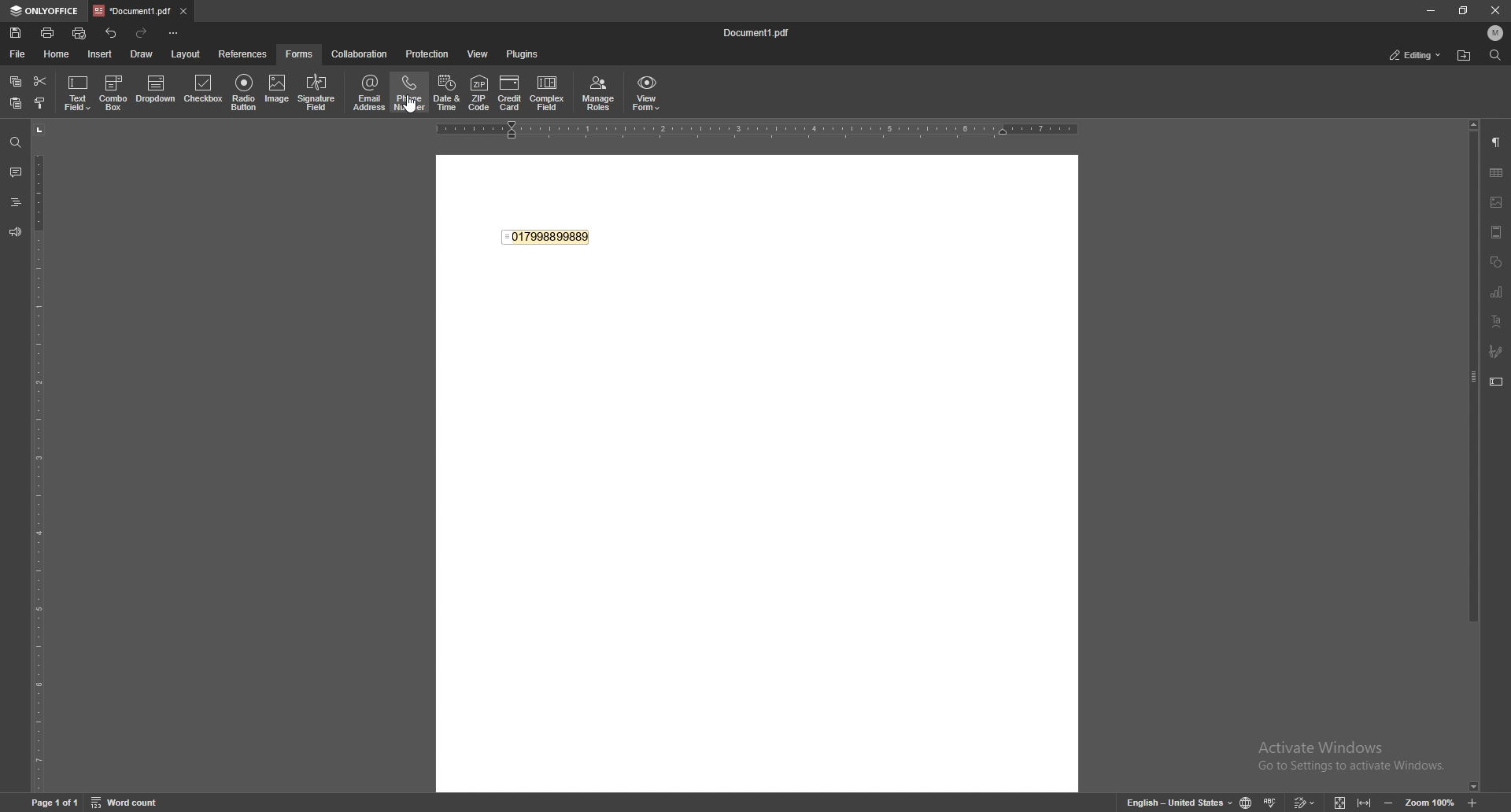  I want to click on home, so click(58, 54).